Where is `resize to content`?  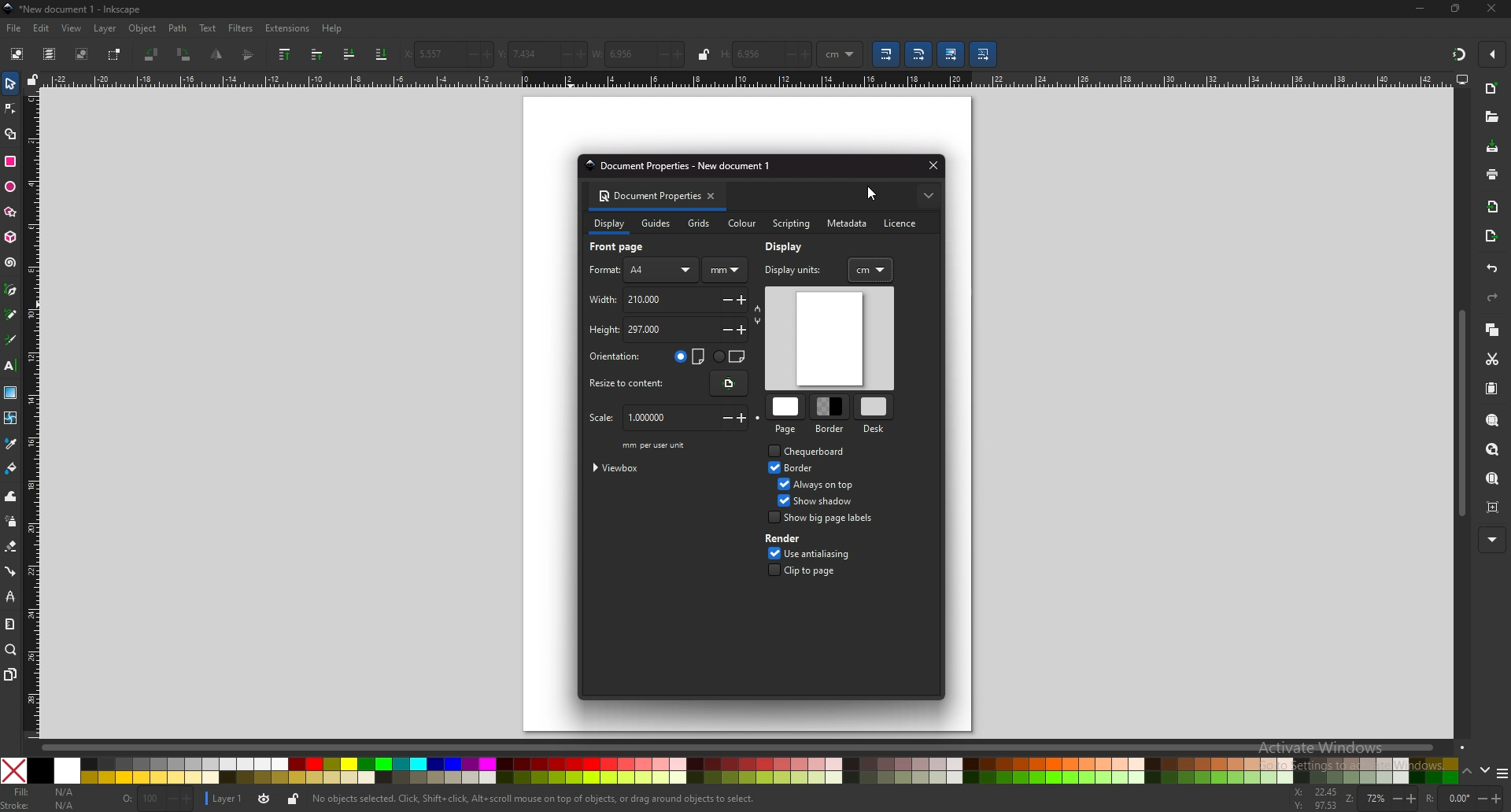
resize to content is located at coordinates (633, 384).